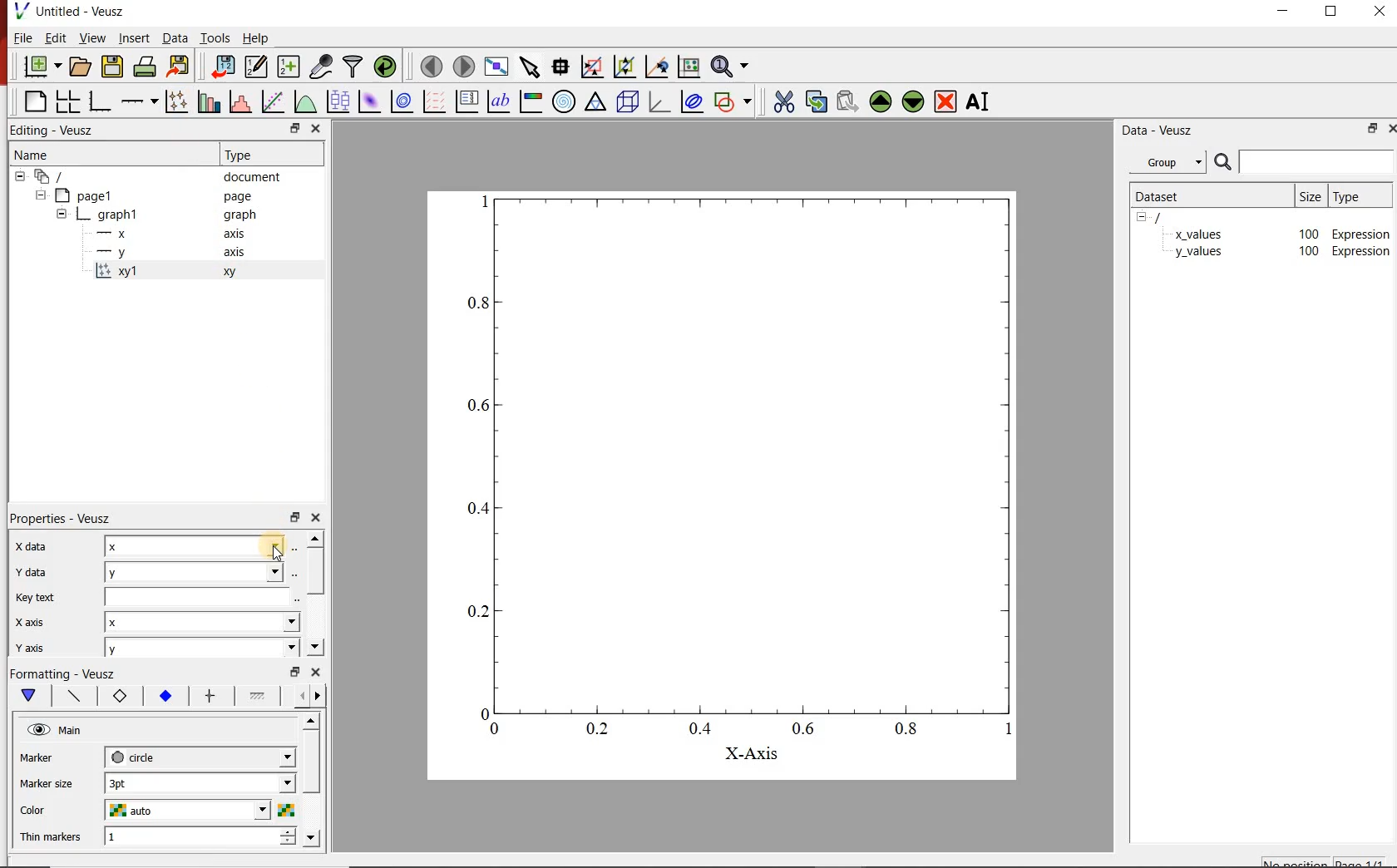 The height and width of the screenshot is (868, 1397). What do you see at coordinates (785, 103) in the screenshot?
I see `cut the selected widget` at bounding box center [785, 103].